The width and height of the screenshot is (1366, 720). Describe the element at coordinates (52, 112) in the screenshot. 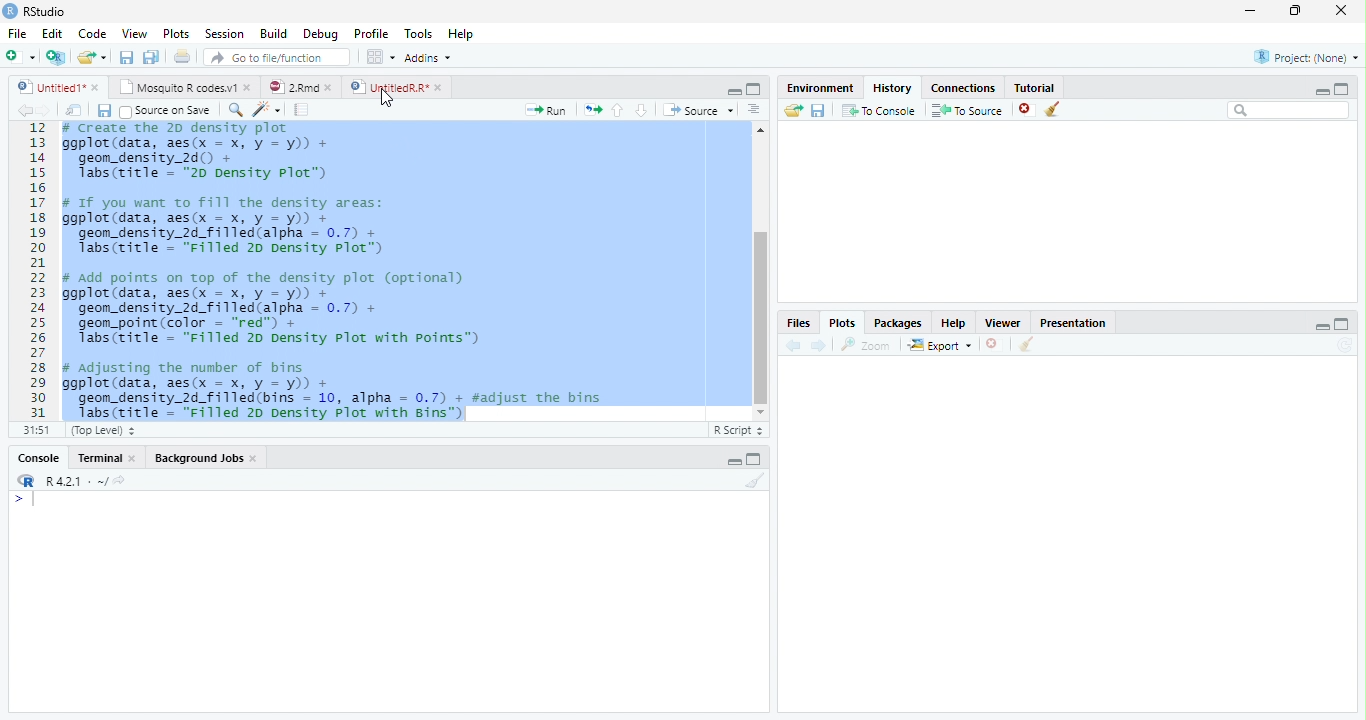

I see `next` at that location.